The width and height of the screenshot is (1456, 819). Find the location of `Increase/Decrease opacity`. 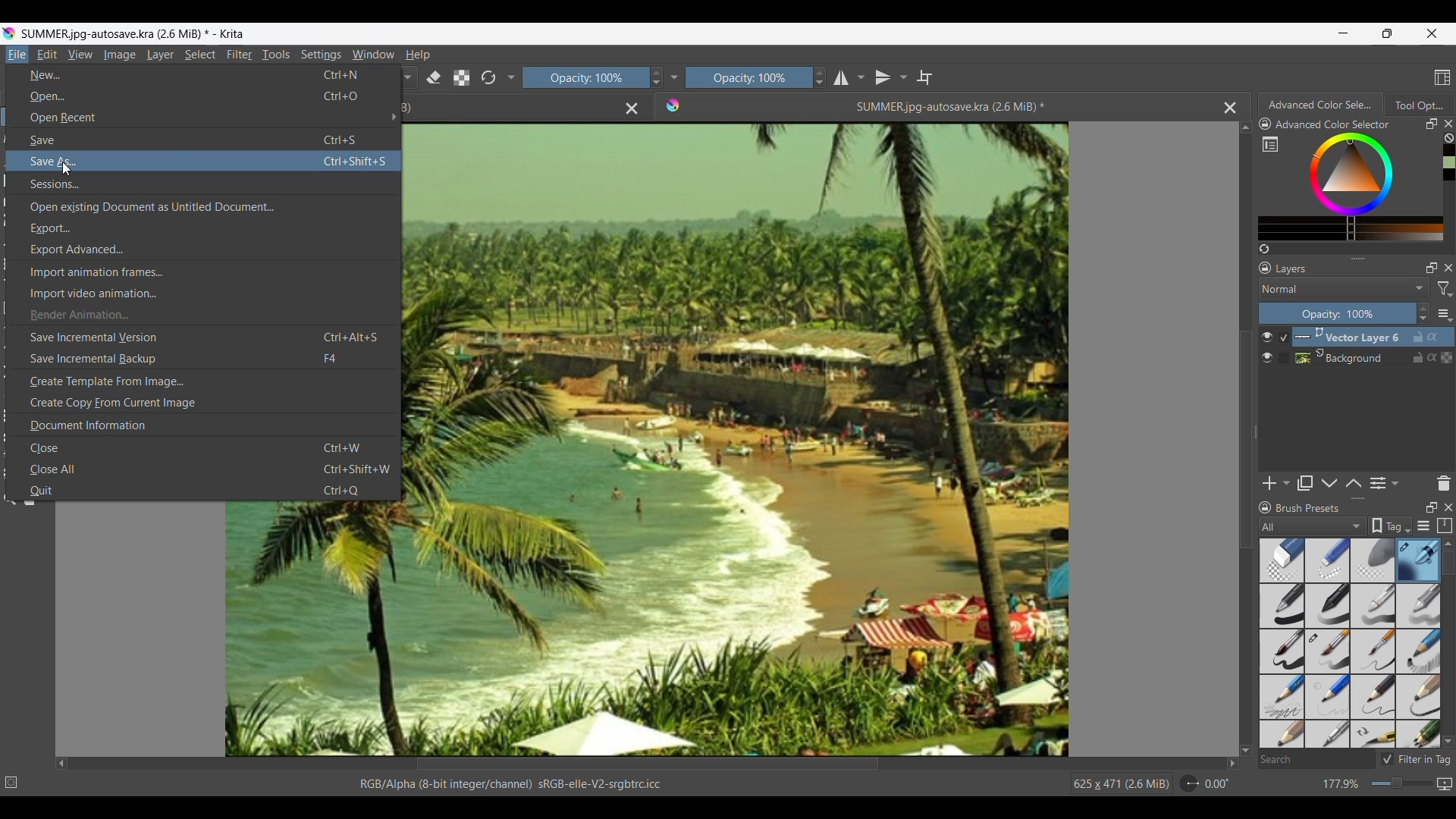

Increase/Decrease opacity is located at coordinates (1423, 314).